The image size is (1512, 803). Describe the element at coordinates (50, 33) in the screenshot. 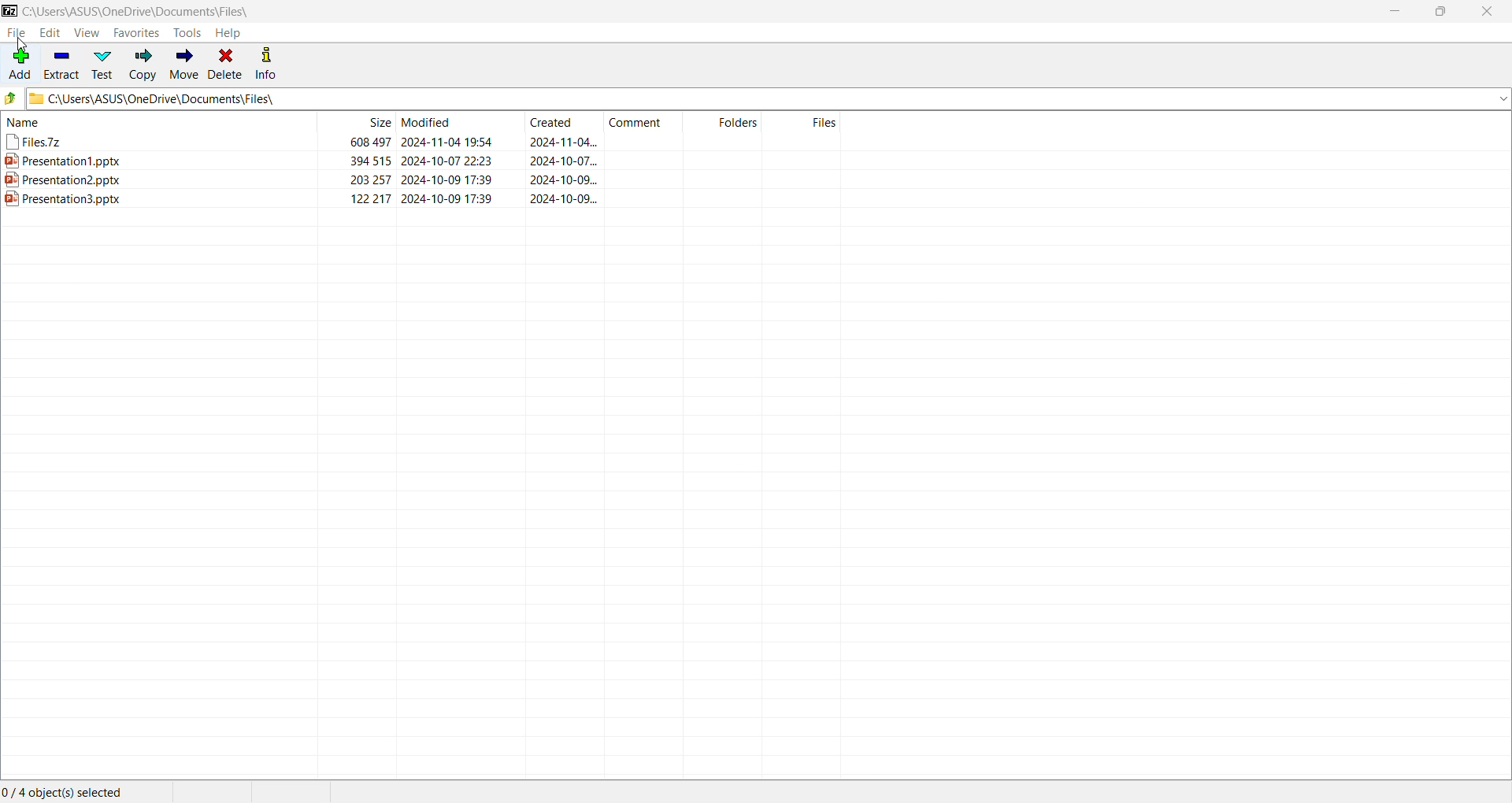

I see `Edit` at that location.